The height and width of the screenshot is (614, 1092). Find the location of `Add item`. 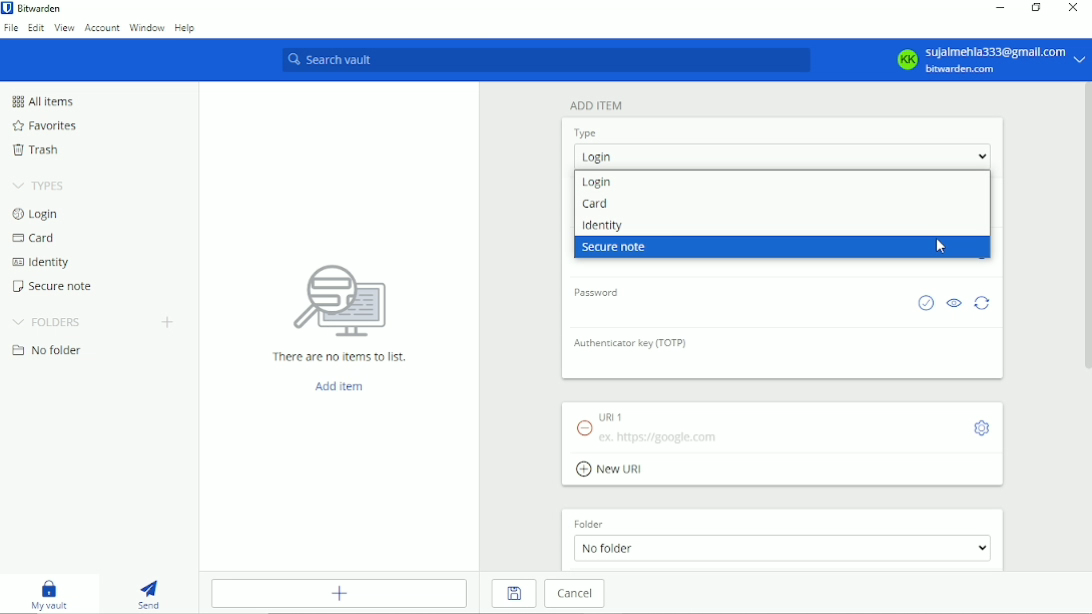

Add item is located at coordinates (595, 105).